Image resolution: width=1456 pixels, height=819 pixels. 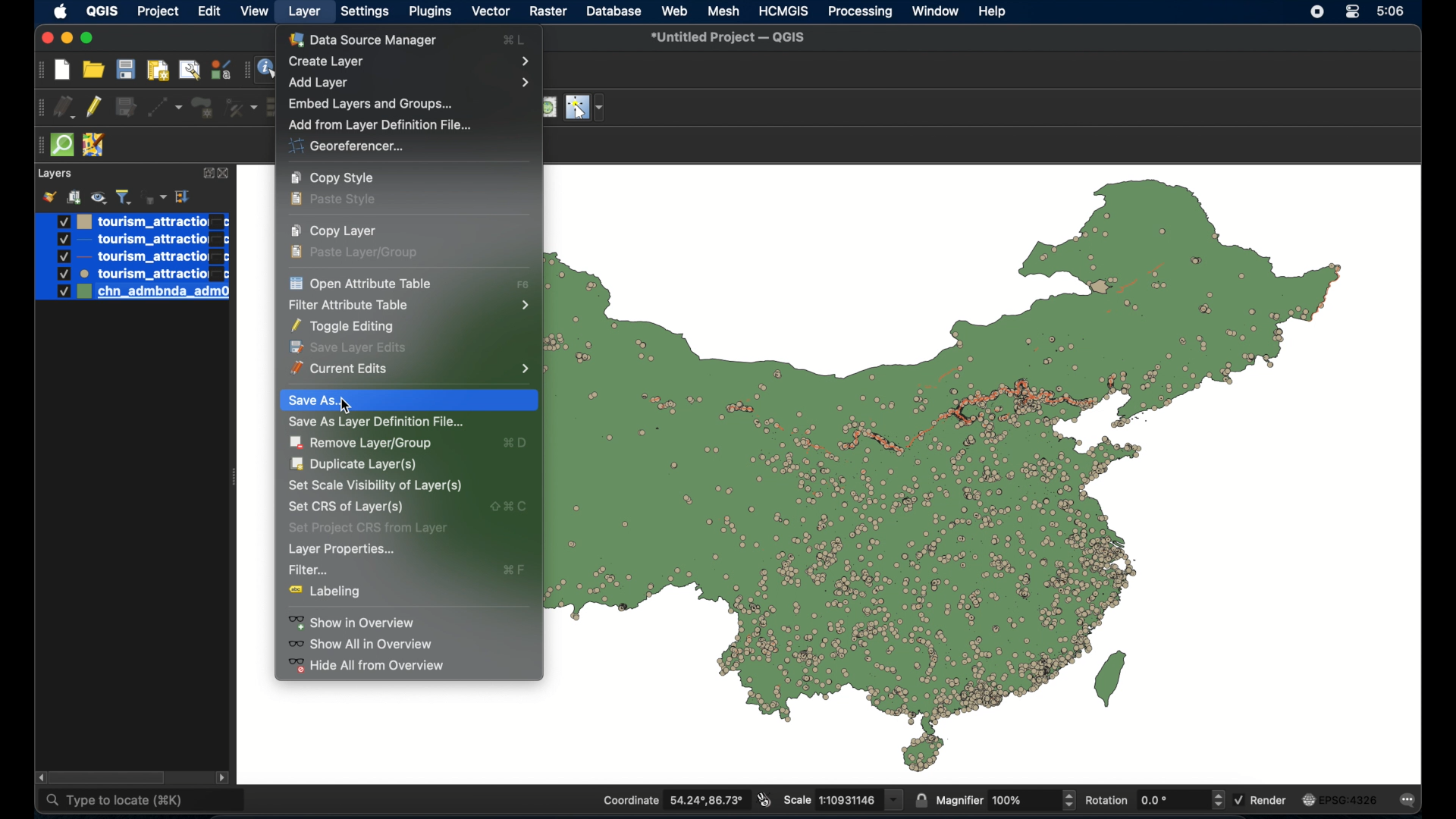 What do you see at coordinates (132, 293) in the screenshot?
I see `layer 5` at bounding box center [132, 293].